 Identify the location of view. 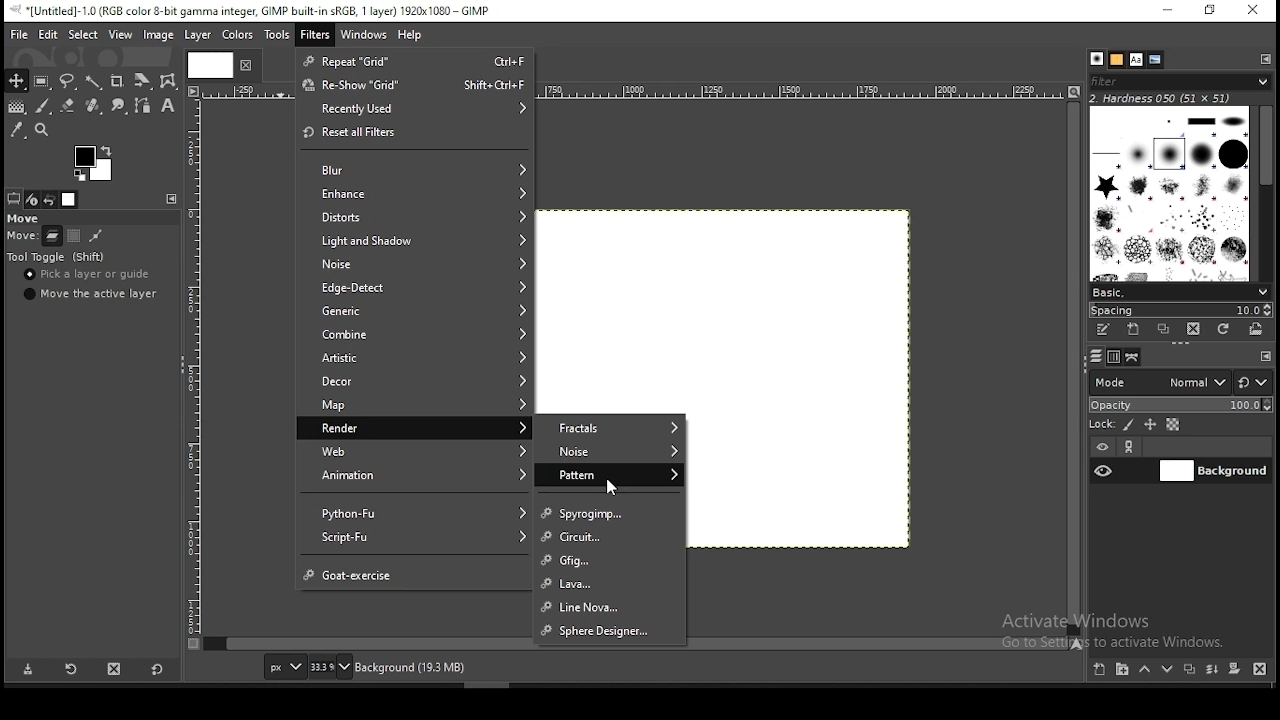
(120, 33).